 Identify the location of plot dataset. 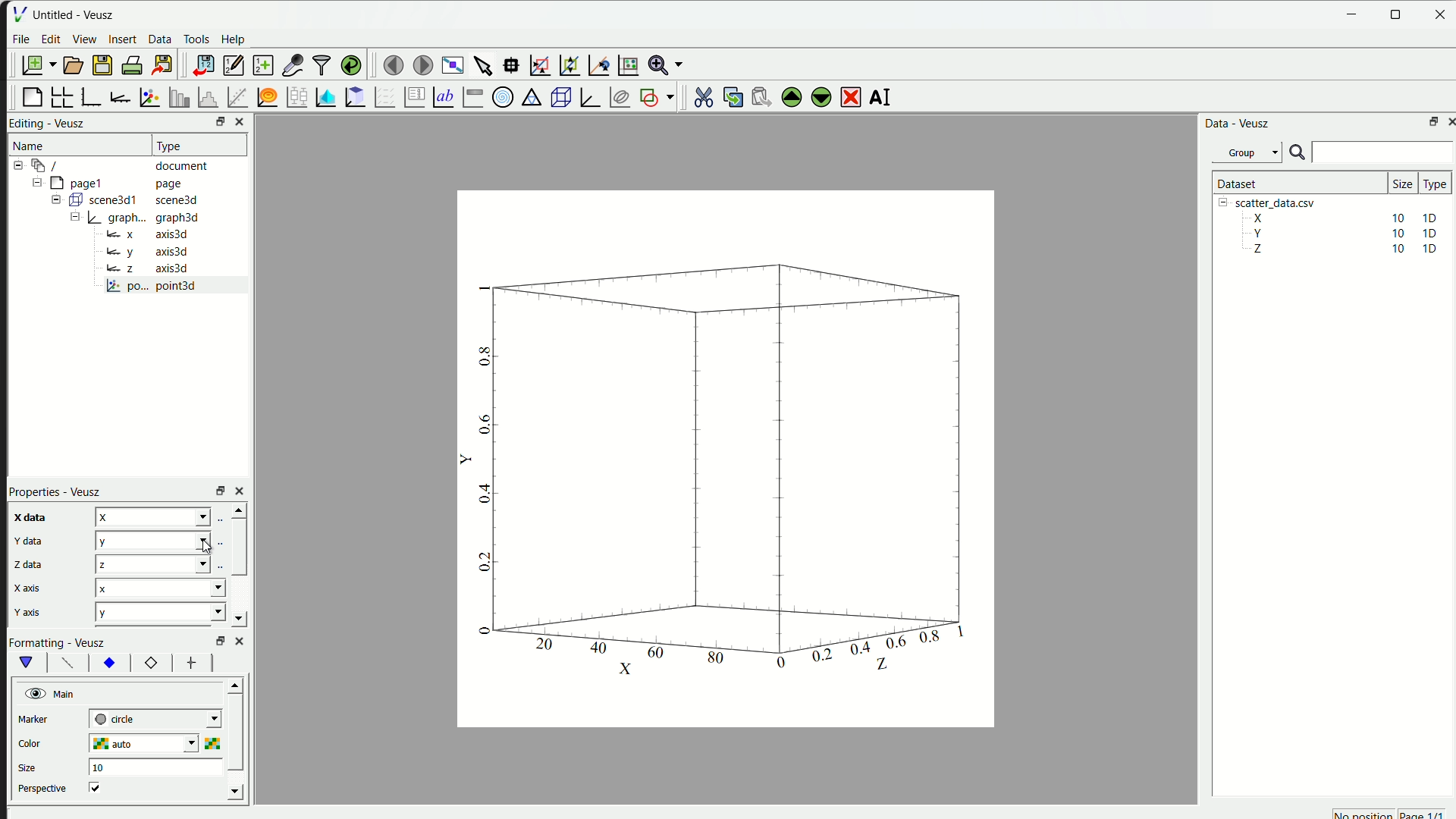
(323, 96).